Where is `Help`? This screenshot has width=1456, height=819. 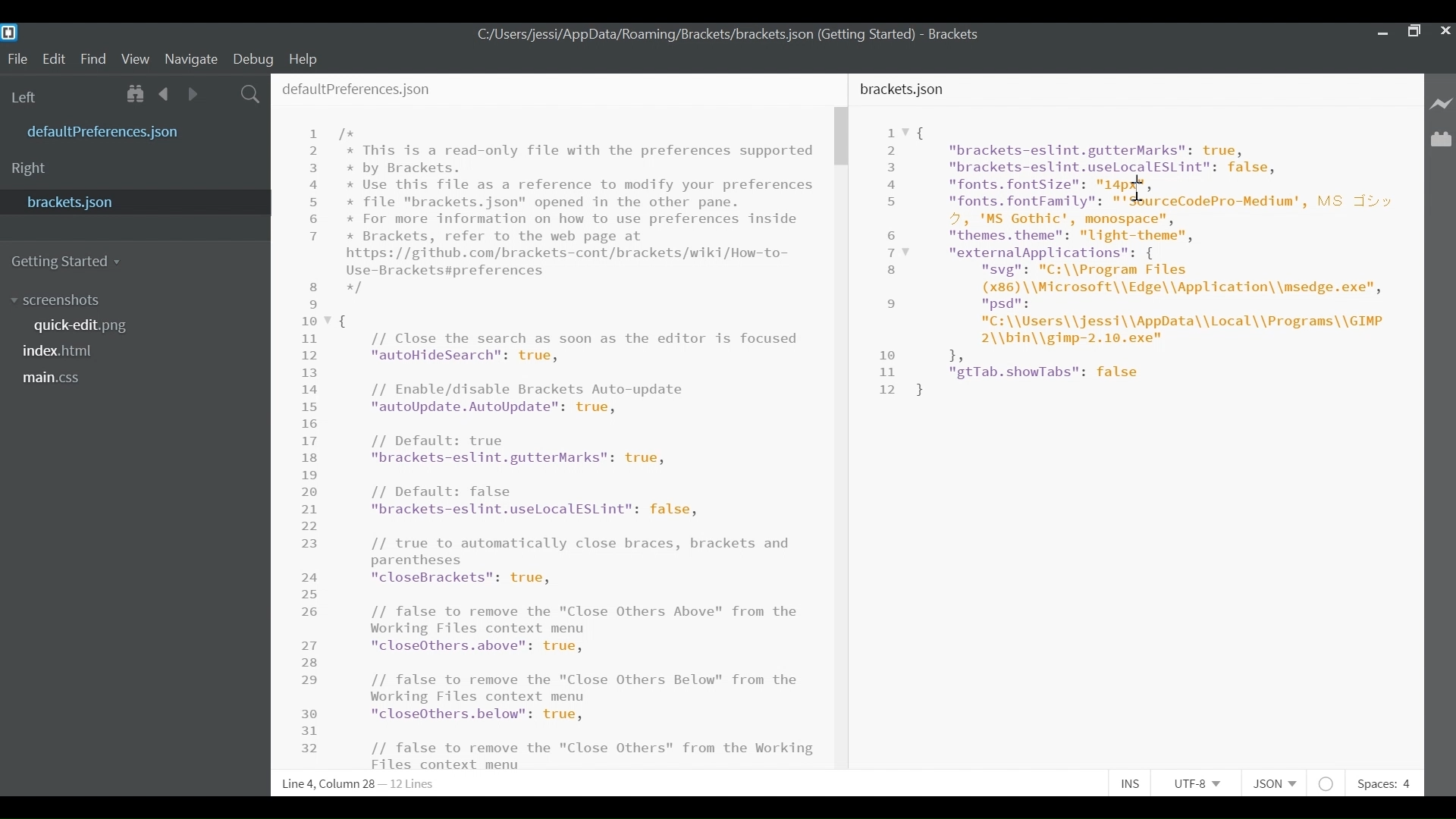
Help is located at coordinates (303, 58).